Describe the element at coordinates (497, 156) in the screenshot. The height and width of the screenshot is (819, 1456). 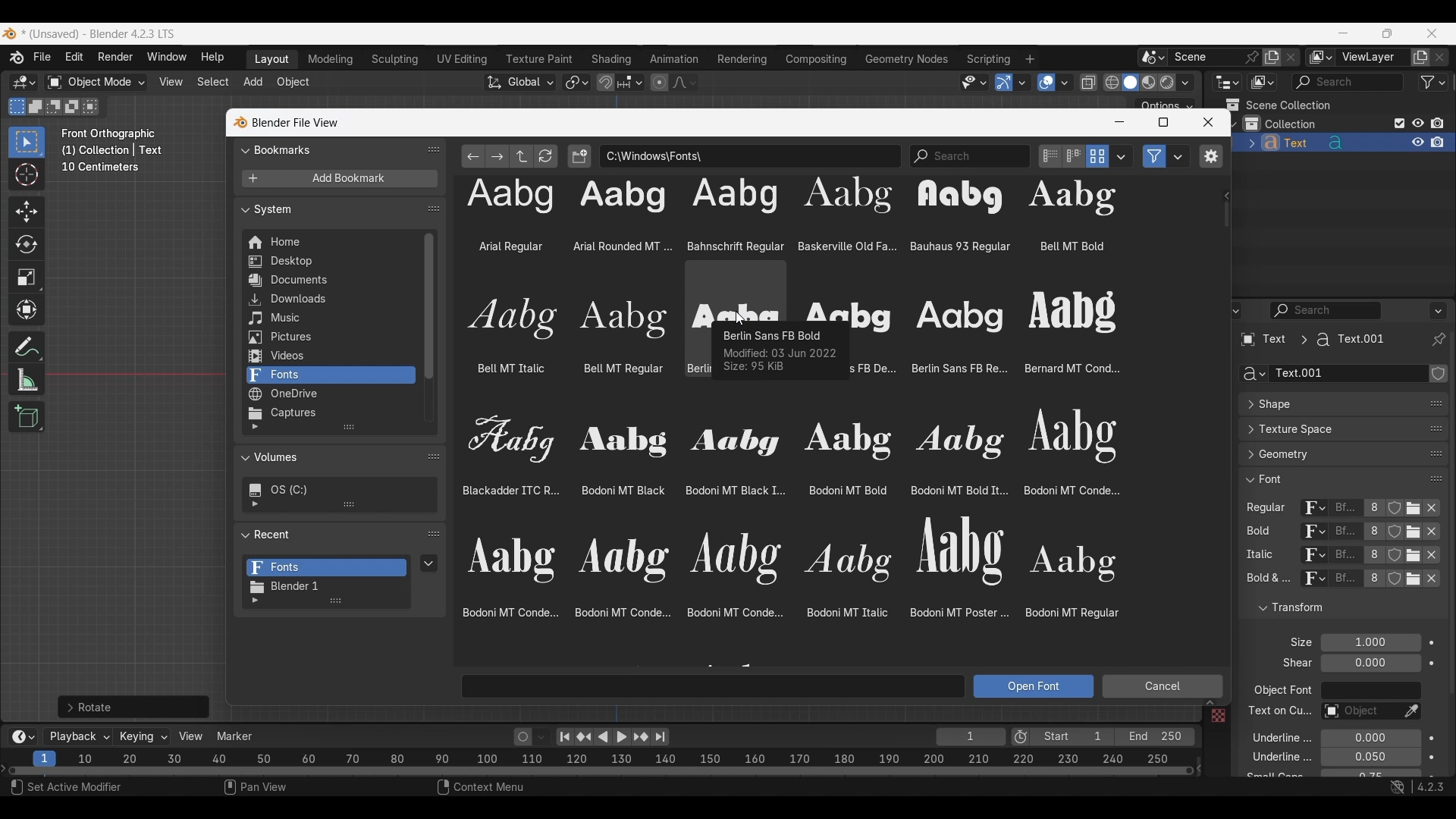
I see `Next folder` at that location.